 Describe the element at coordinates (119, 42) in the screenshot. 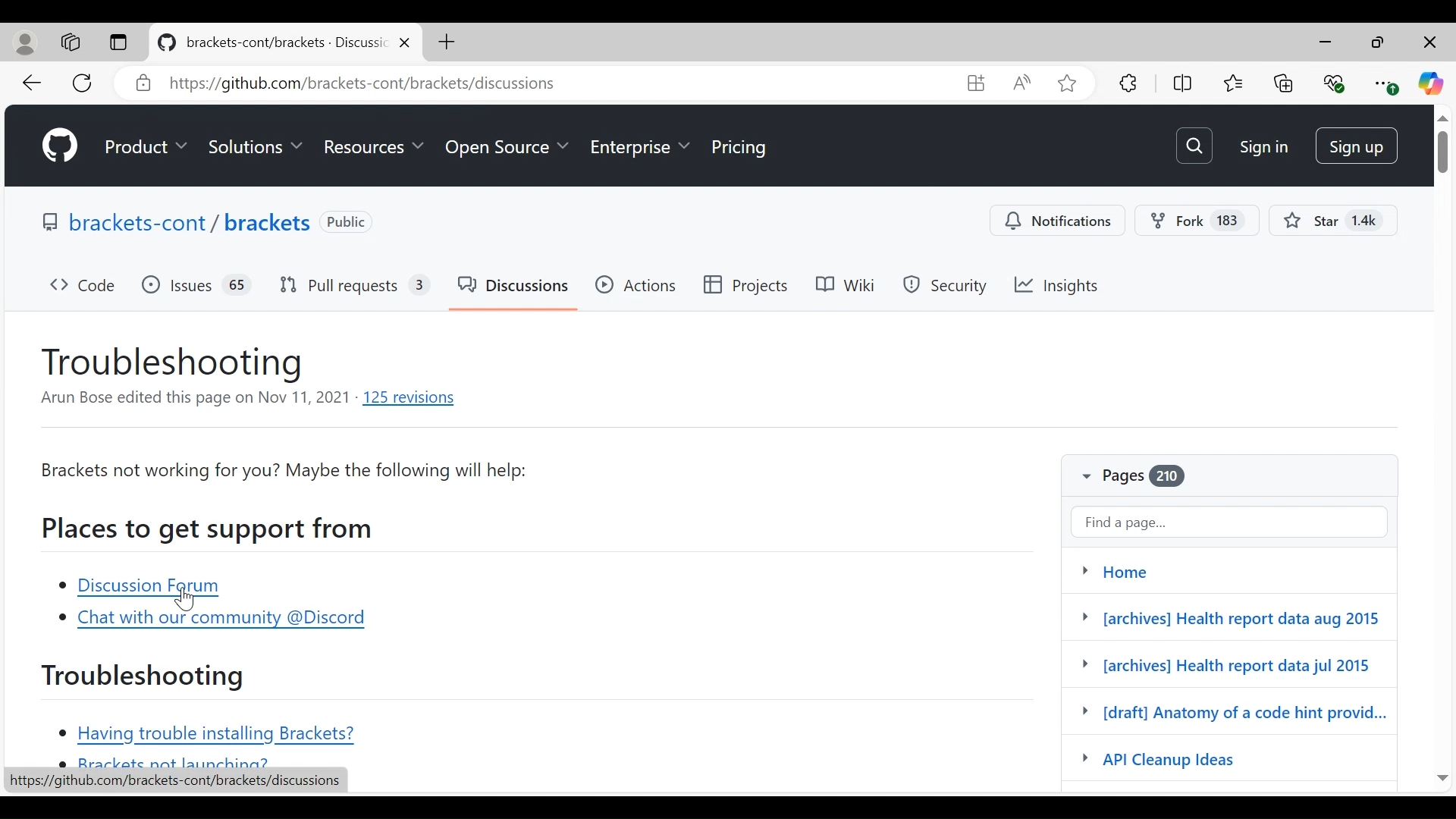

I see `Tab action menu` at that location.